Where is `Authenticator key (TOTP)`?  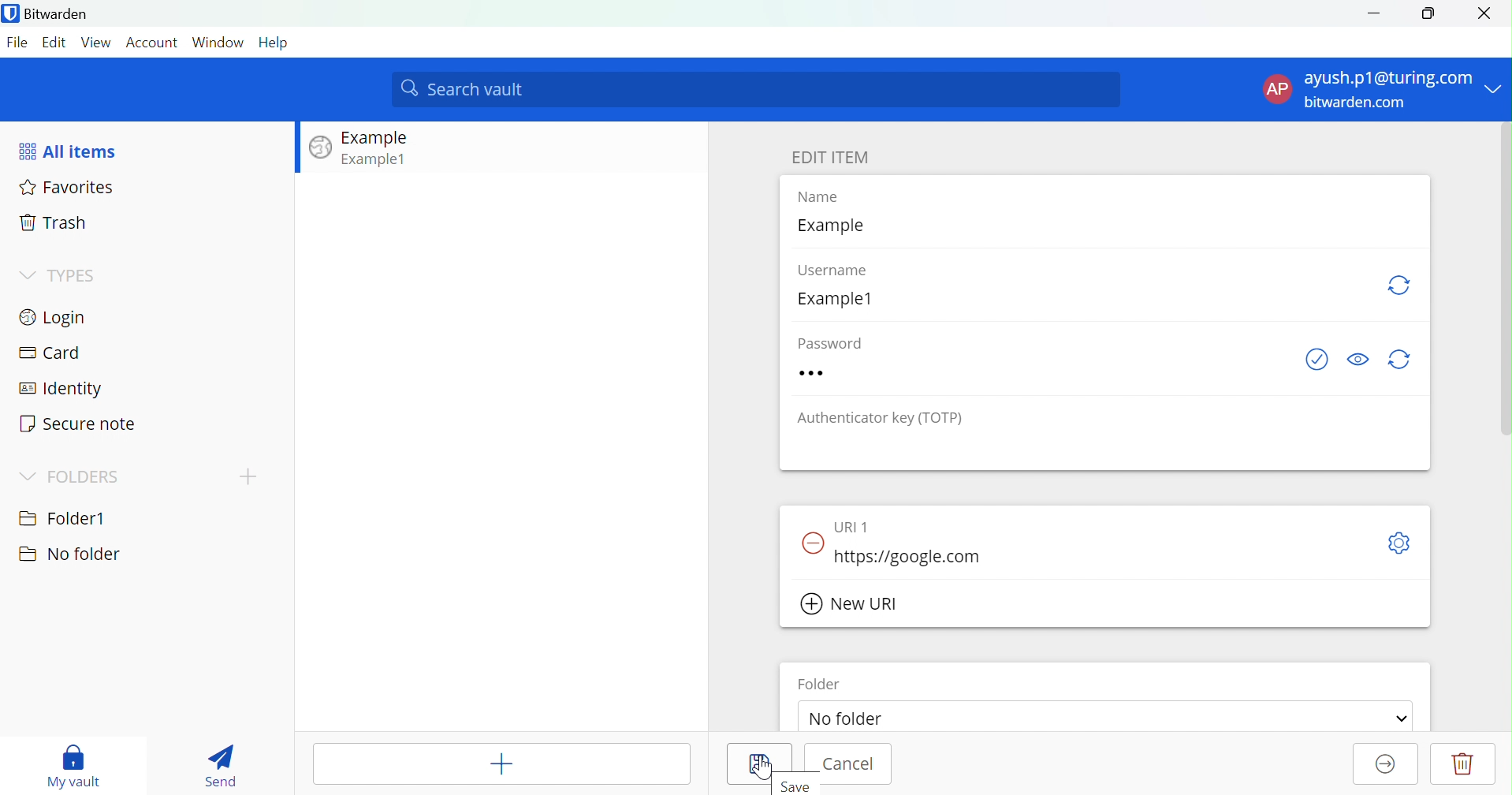
Authenticator key (TOTP) is located at coordinates (883, 419).